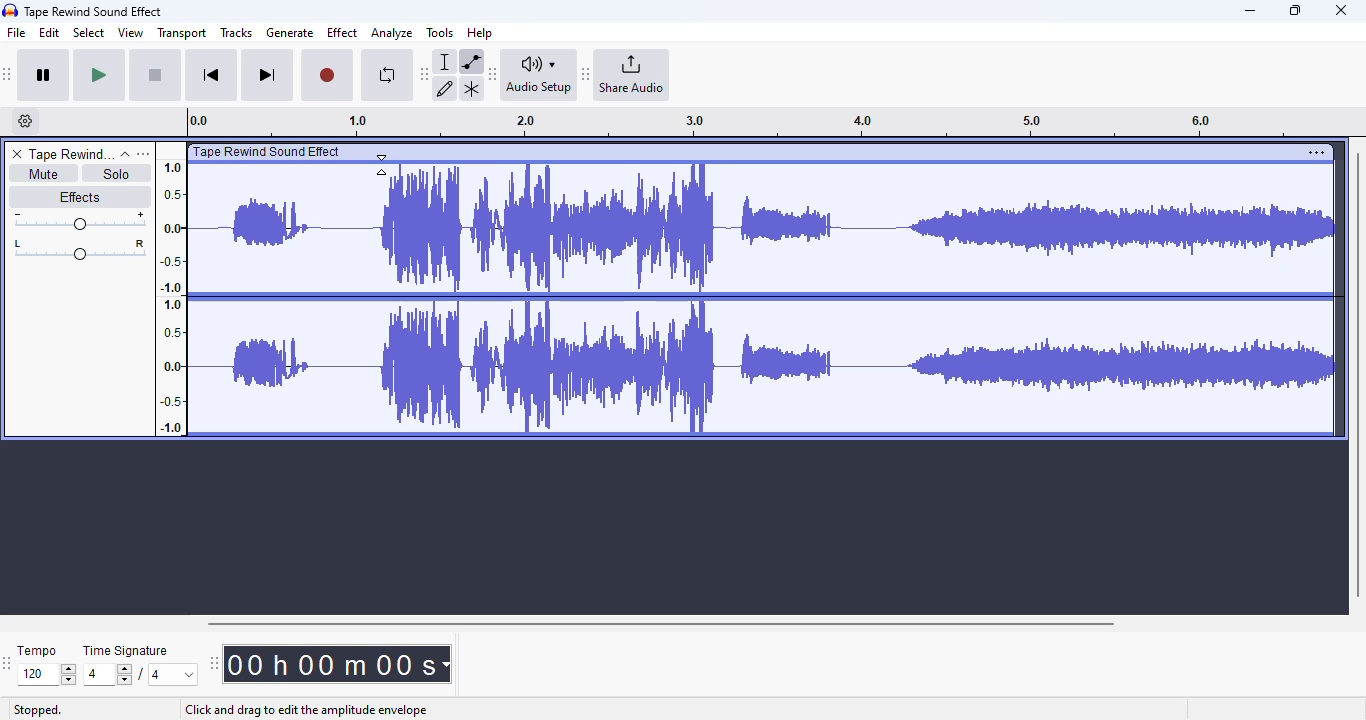  Describe the element at coordinates (236, 34) in the screenshot. I see `tracks` at that location.